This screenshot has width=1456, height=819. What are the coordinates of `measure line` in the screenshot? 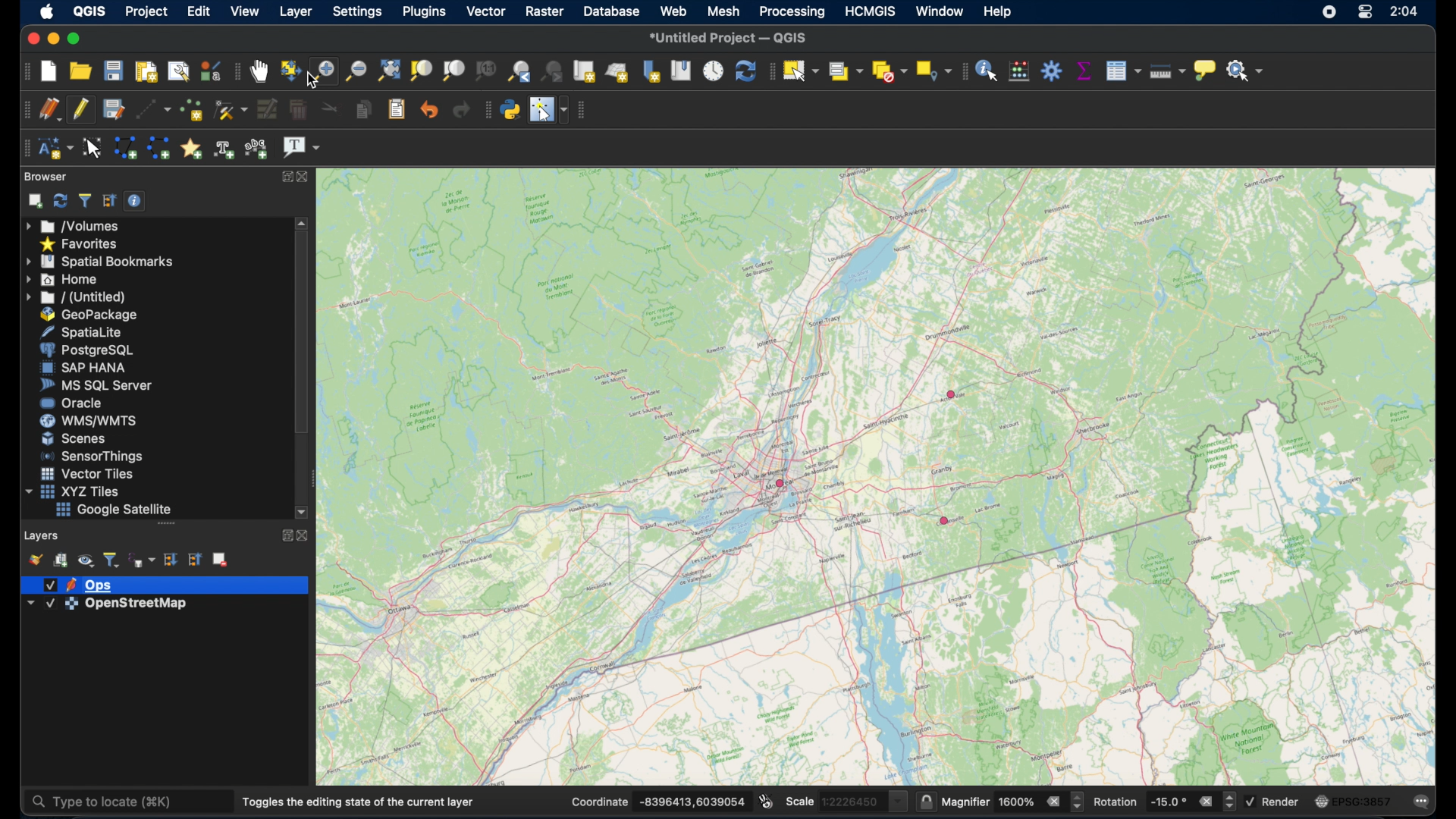 It's located at (1167, 71).